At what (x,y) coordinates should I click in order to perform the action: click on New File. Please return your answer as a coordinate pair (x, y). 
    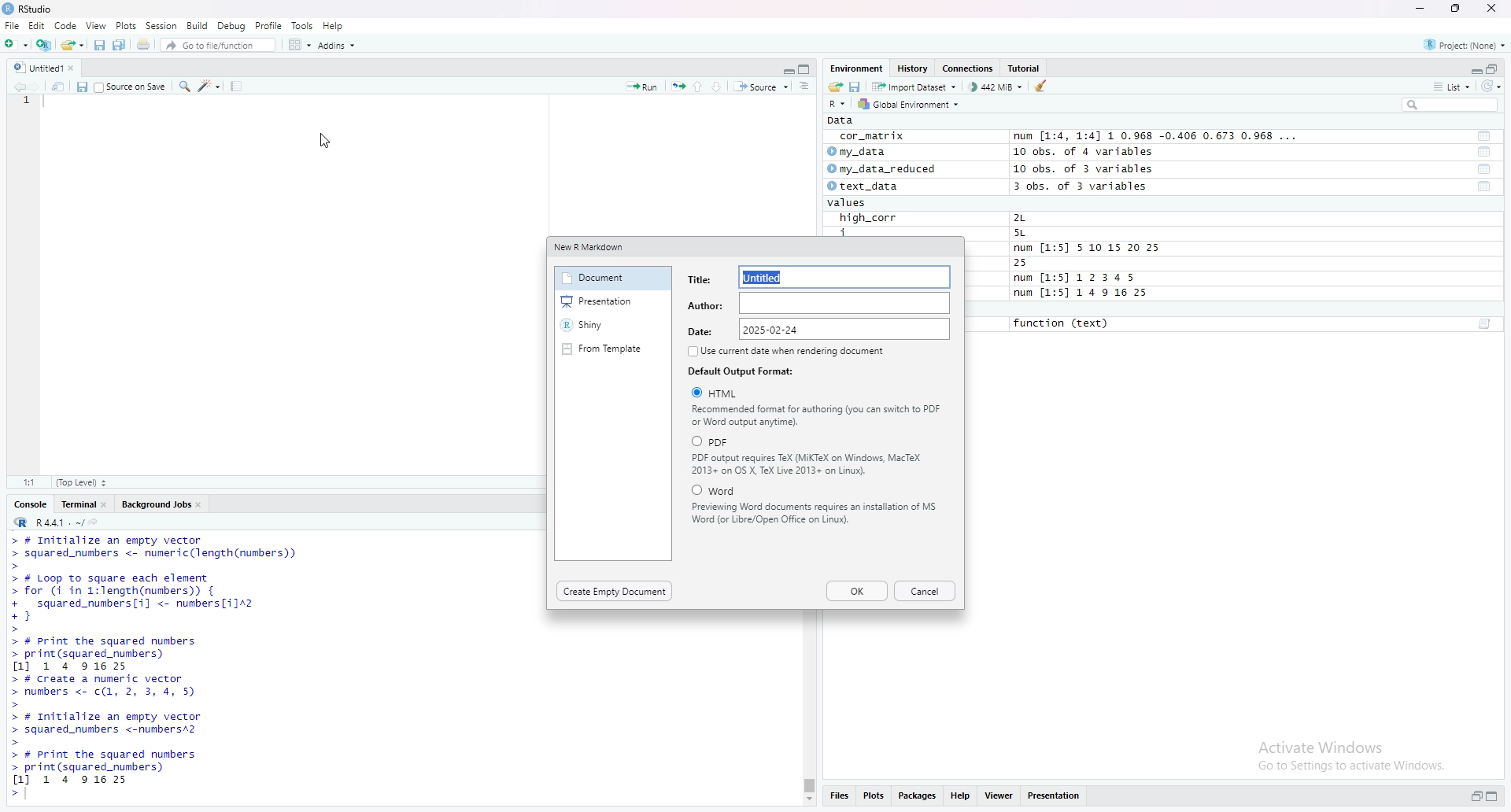
    Looking at the image, I should click on (15, 45).